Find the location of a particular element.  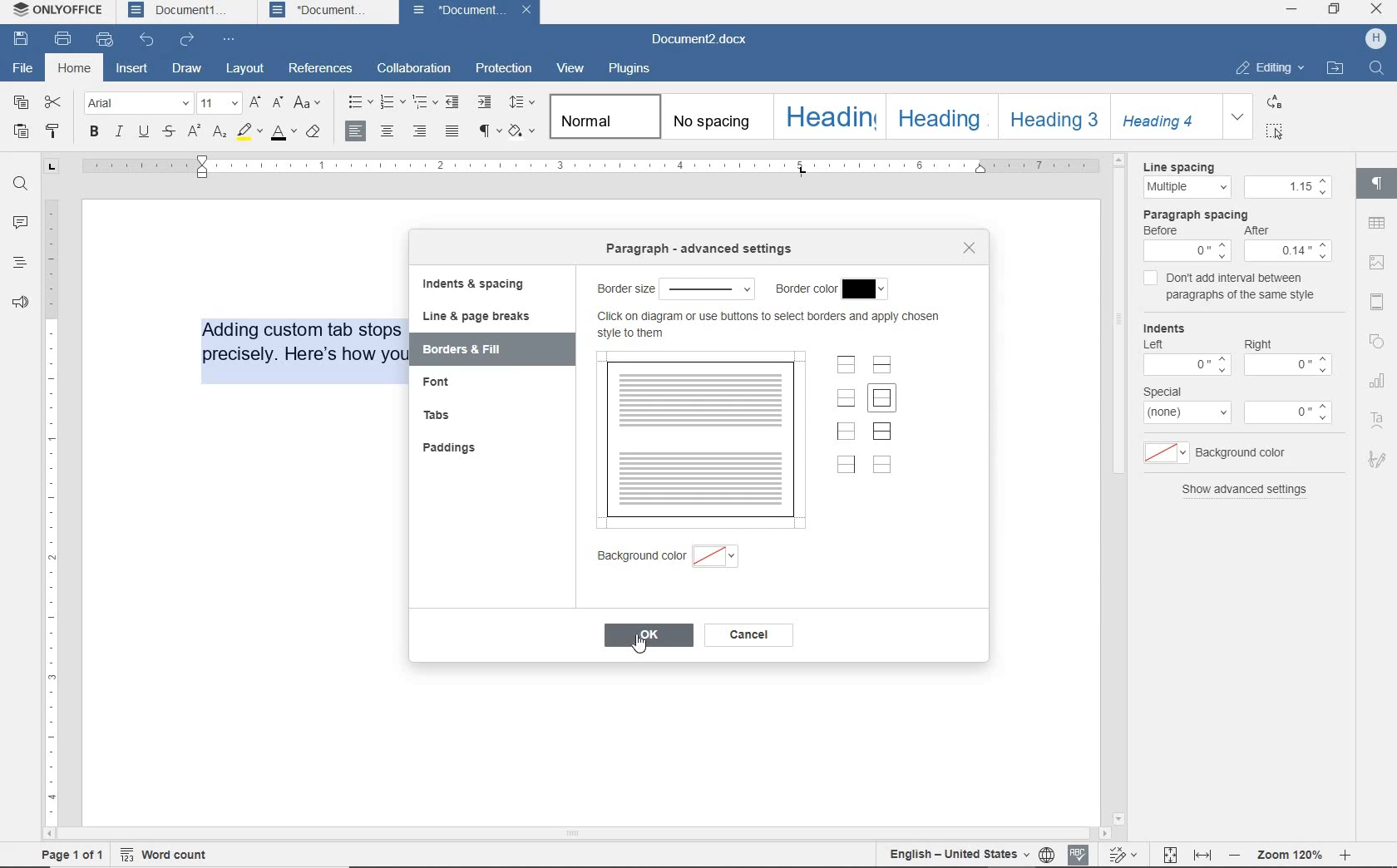

nonprinting characters is located at coordinates (488, 133).